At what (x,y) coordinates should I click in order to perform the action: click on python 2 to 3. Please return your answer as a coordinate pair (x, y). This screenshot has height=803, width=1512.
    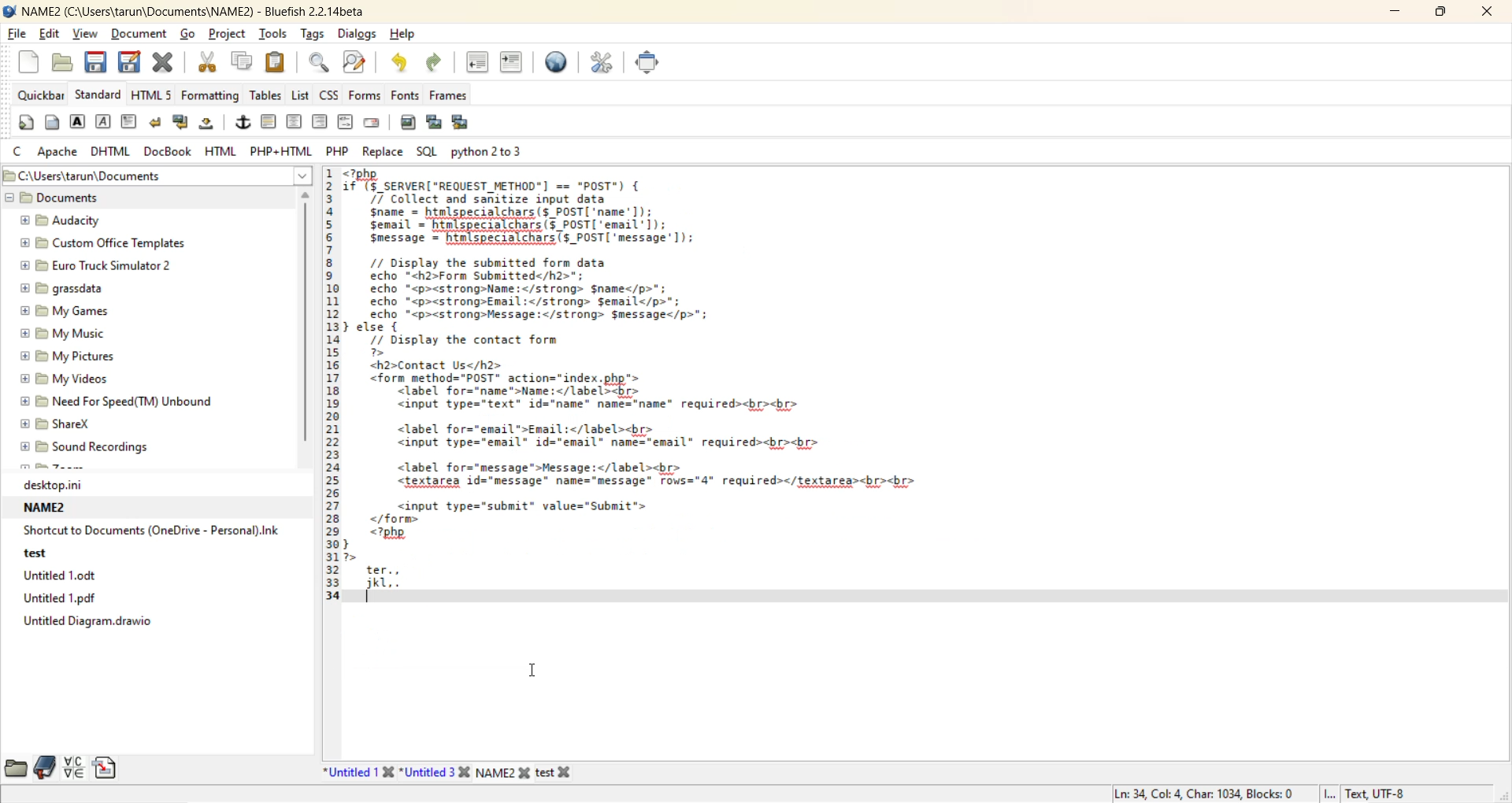
    Looking at the image, I should click on (501, 150).